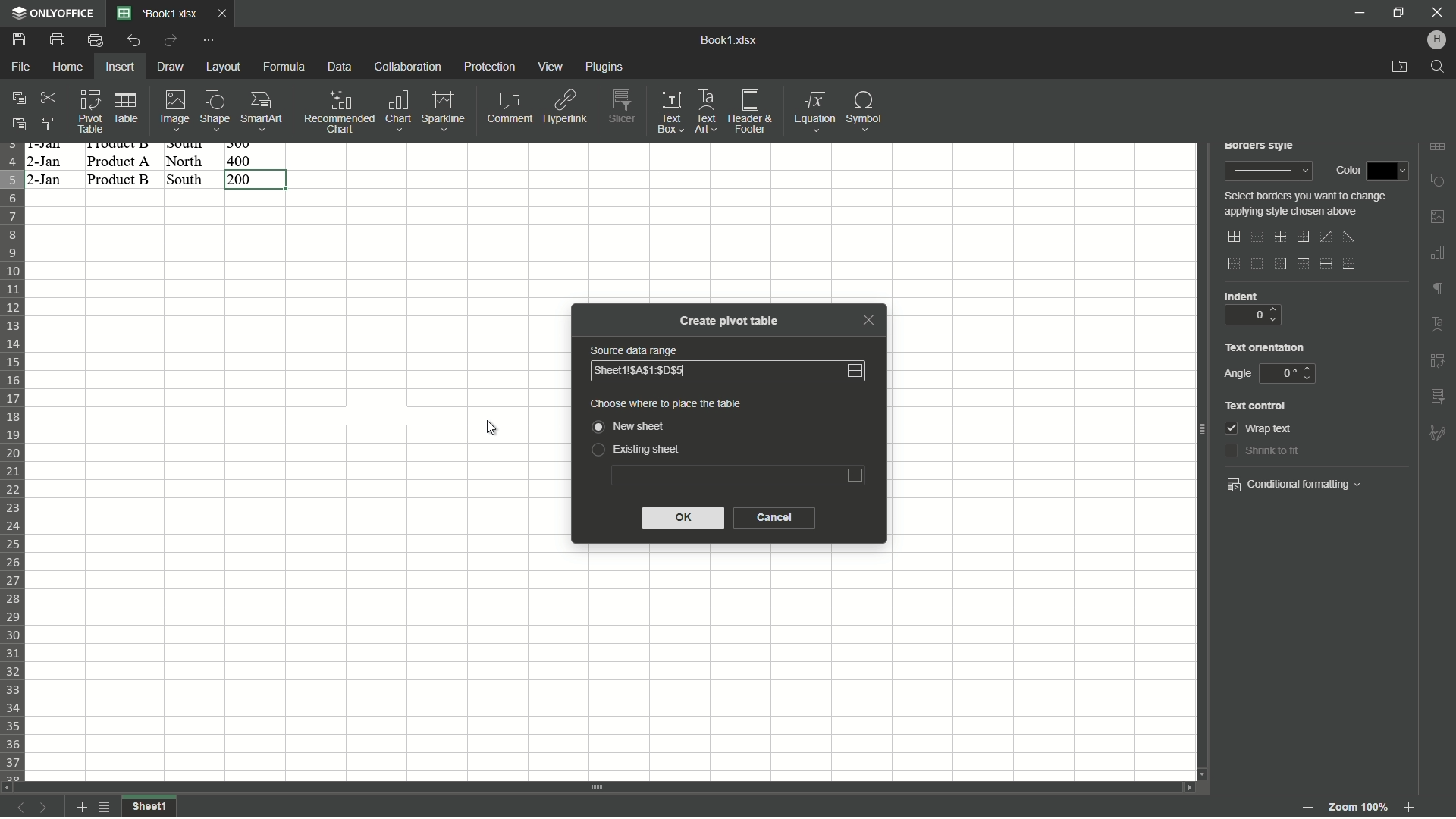 The height and width of the screenshot is (819, 1456). What do you see at coordinates (1183, 787) in the screenshot?
I see `scroll right` at bounding box center [1183, 787].